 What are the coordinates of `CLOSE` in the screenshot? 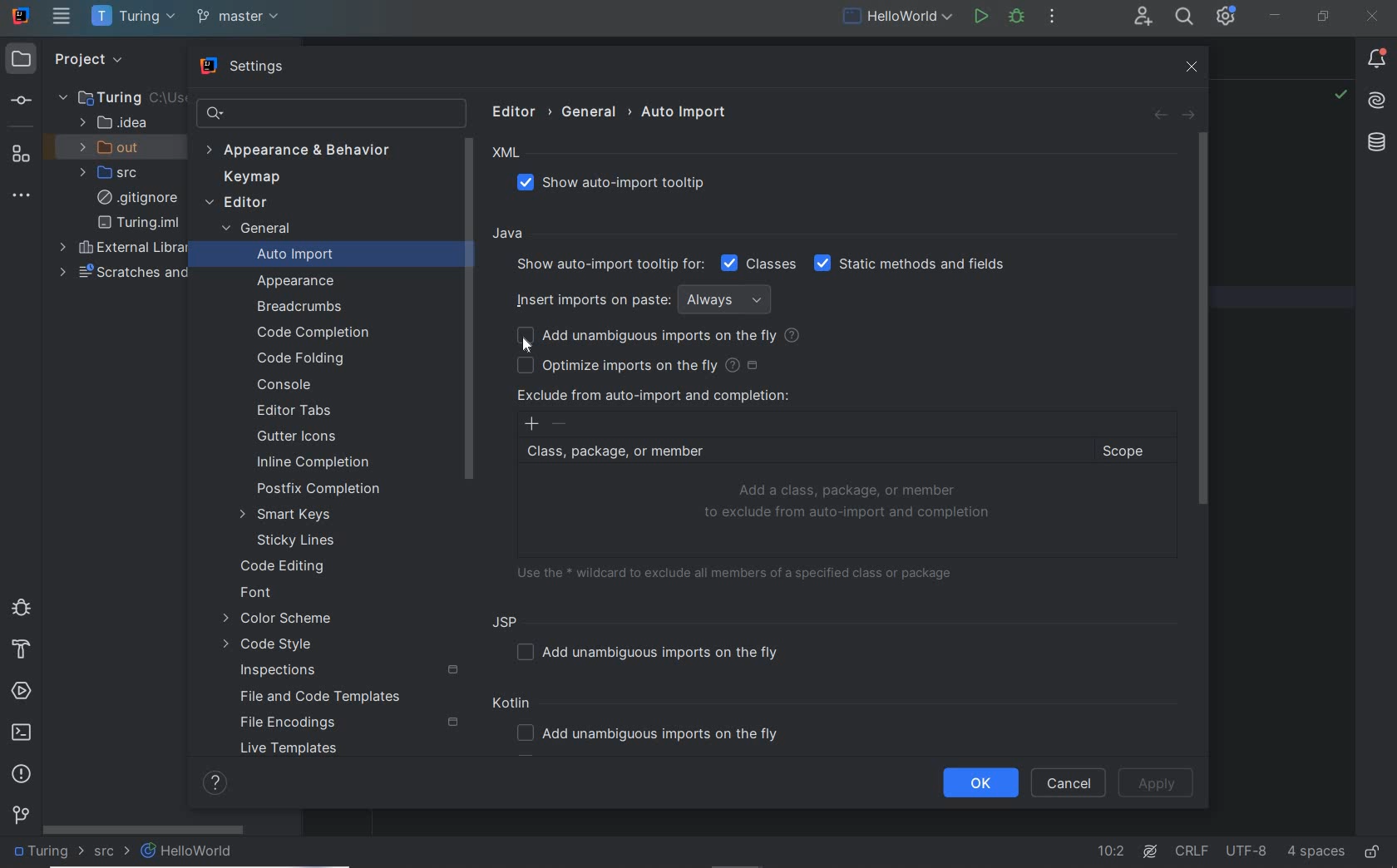 It's located at (1370, 17).